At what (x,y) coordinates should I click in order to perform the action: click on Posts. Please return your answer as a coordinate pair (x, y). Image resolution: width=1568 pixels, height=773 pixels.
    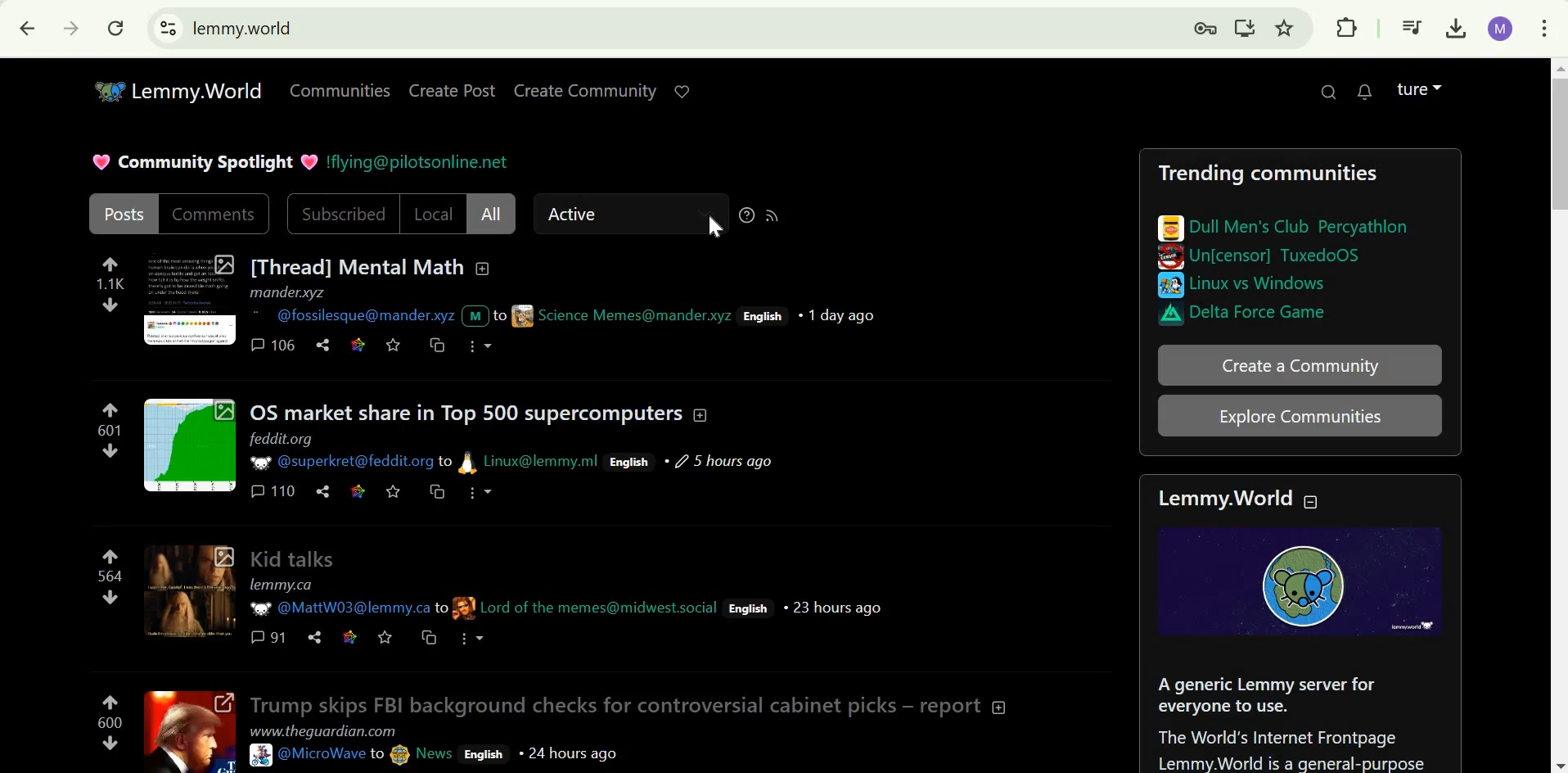
    Looking at the image, I should click on (123, 214).